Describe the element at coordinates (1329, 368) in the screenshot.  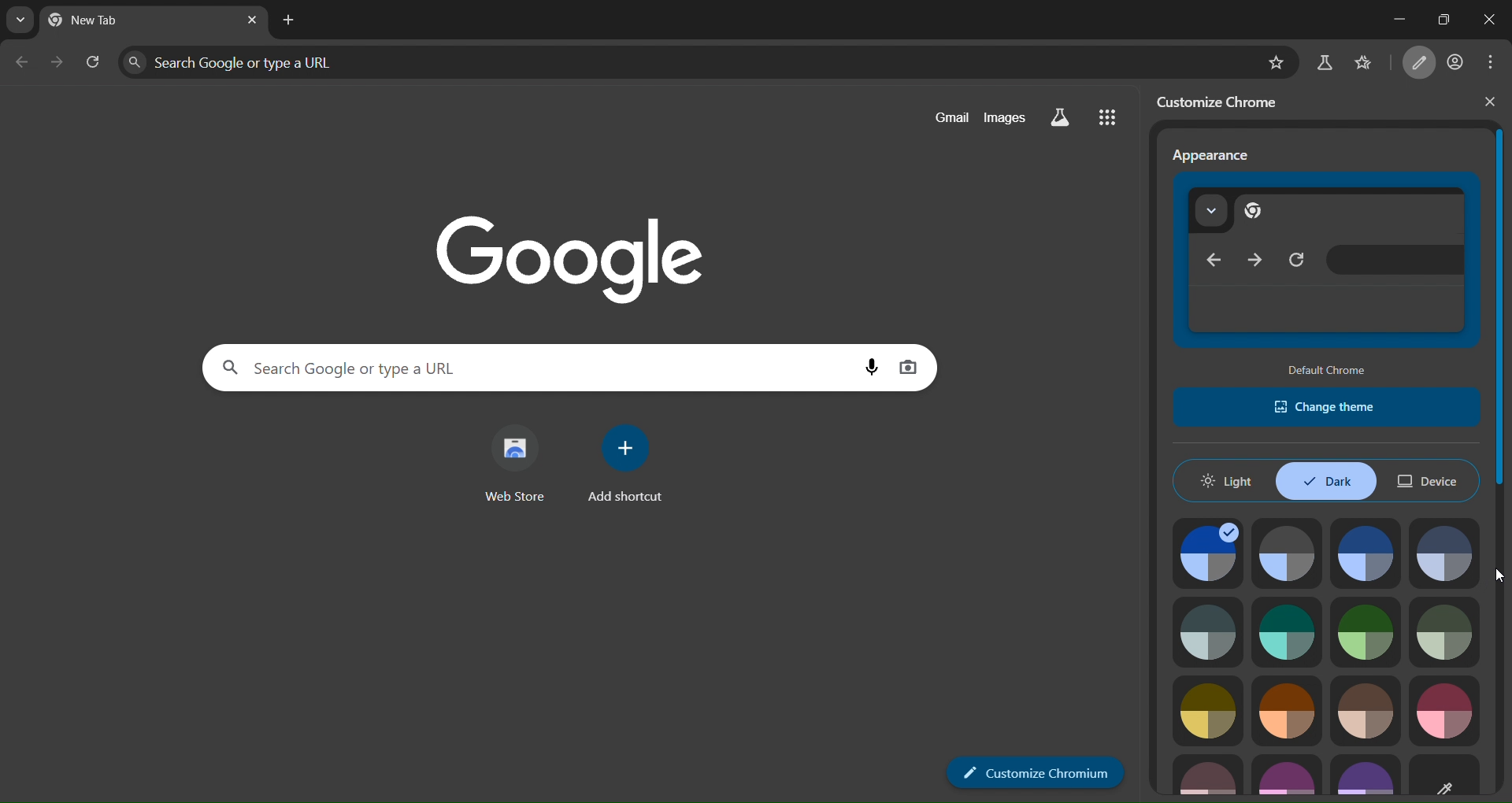
I see `default chrome` at that location.